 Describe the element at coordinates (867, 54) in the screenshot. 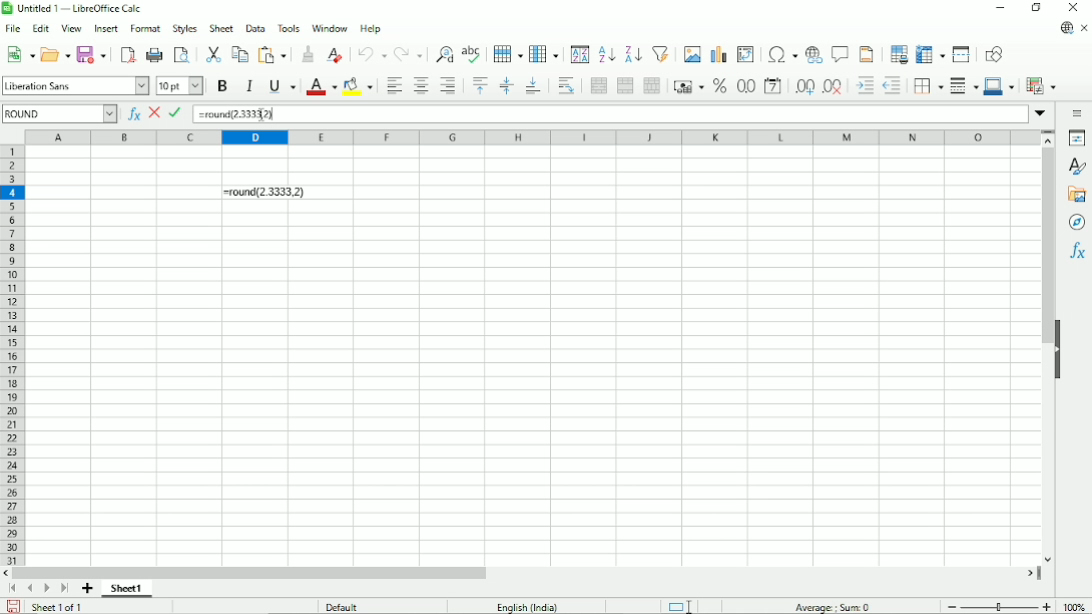

I see `Headers and footers` at that location.